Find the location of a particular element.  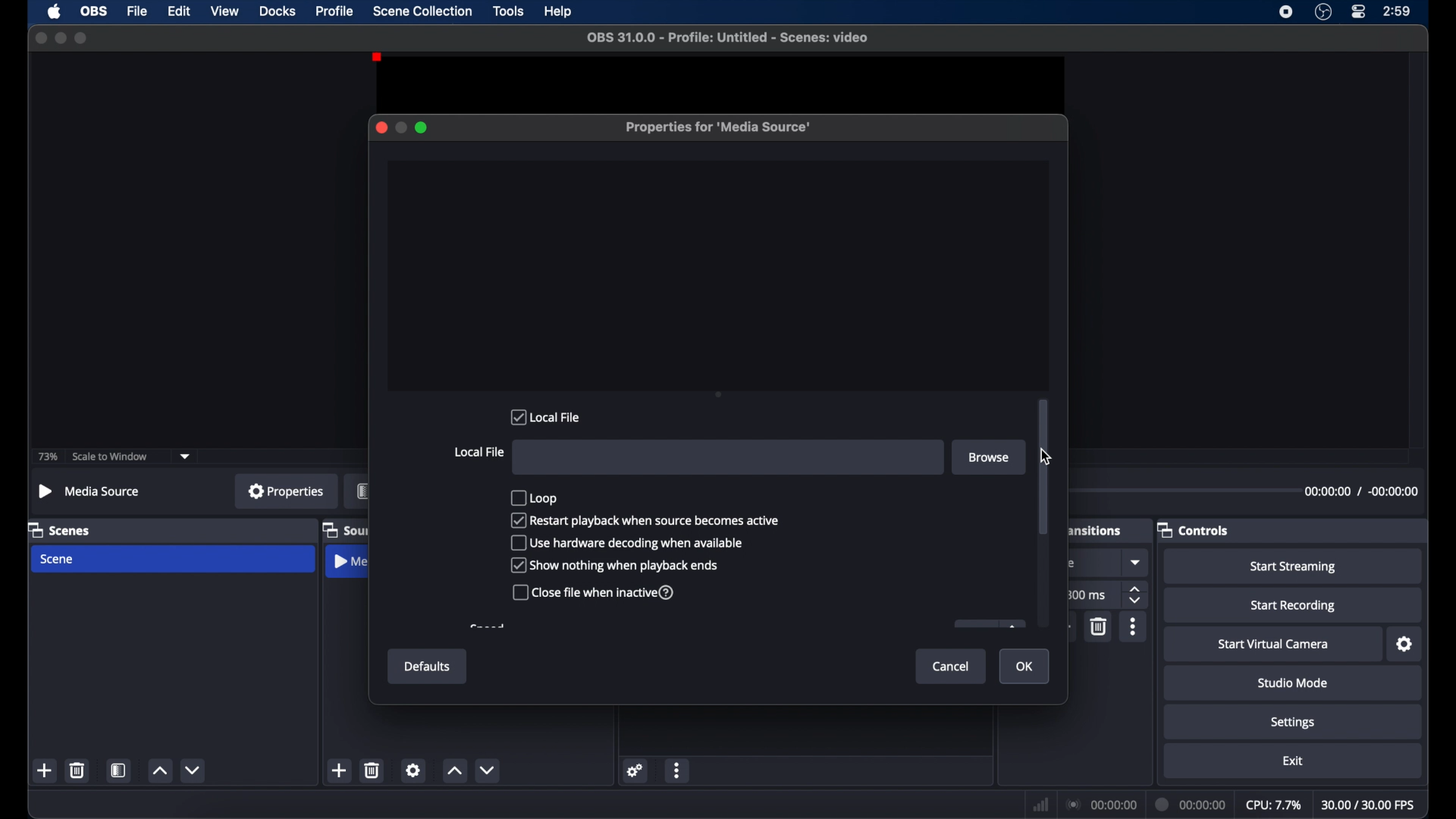

more options is located at coordinates (677, 770).